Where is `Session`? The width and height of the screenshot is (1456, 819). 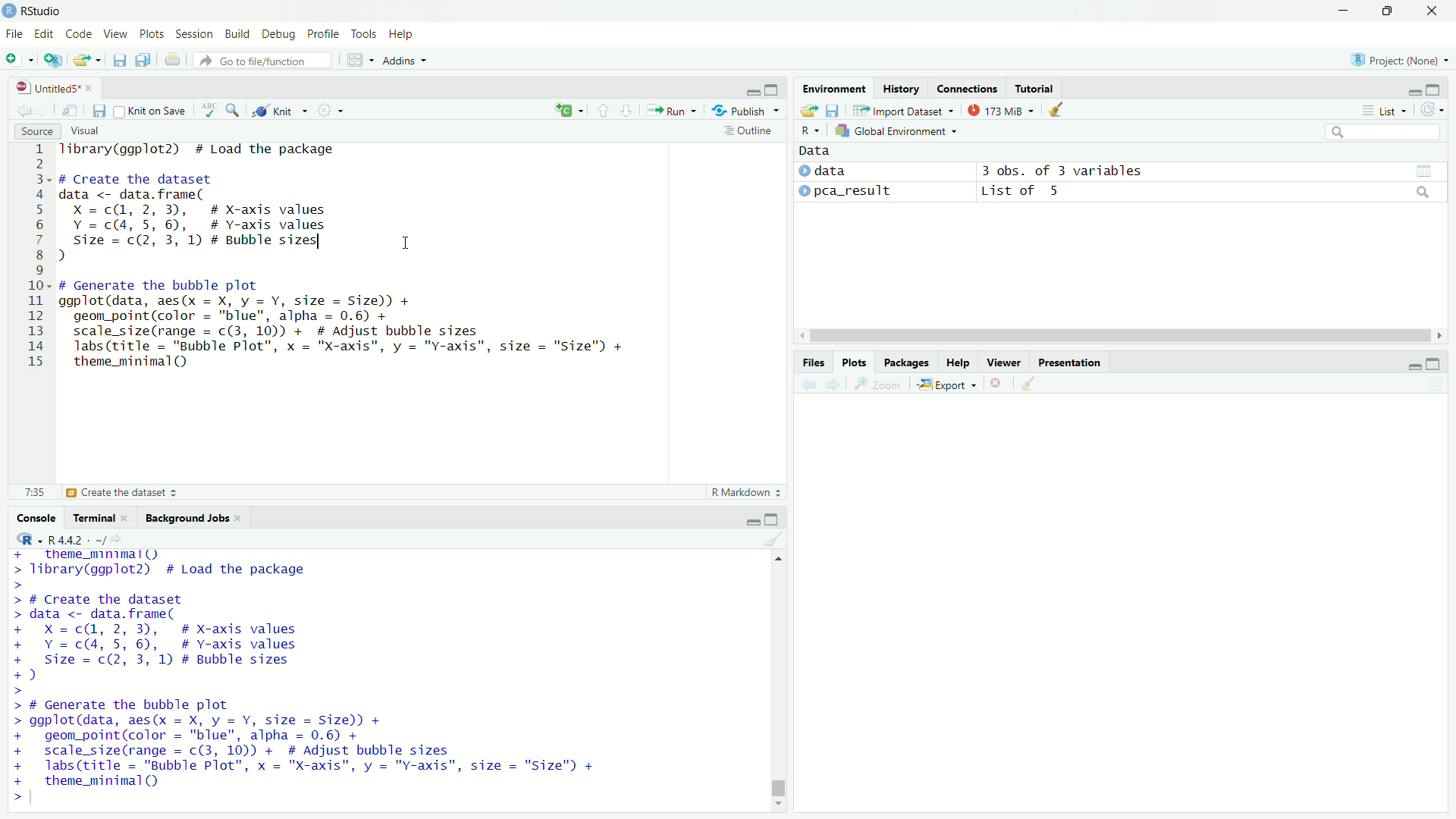 Session is located at coordinates (196, 34).